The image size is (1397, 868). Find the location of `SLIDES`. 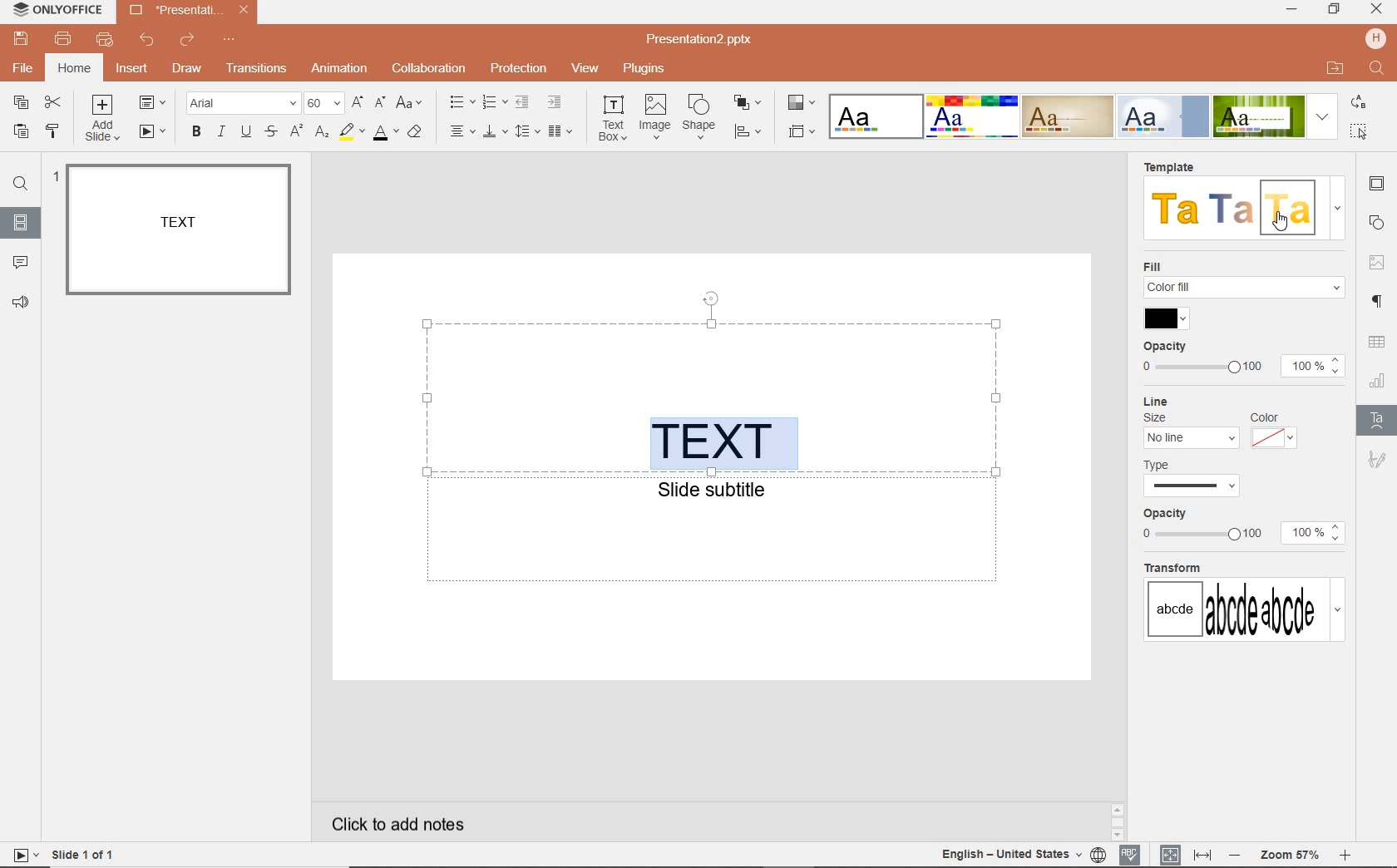

SLIDES is located at coordinates (23, 224).